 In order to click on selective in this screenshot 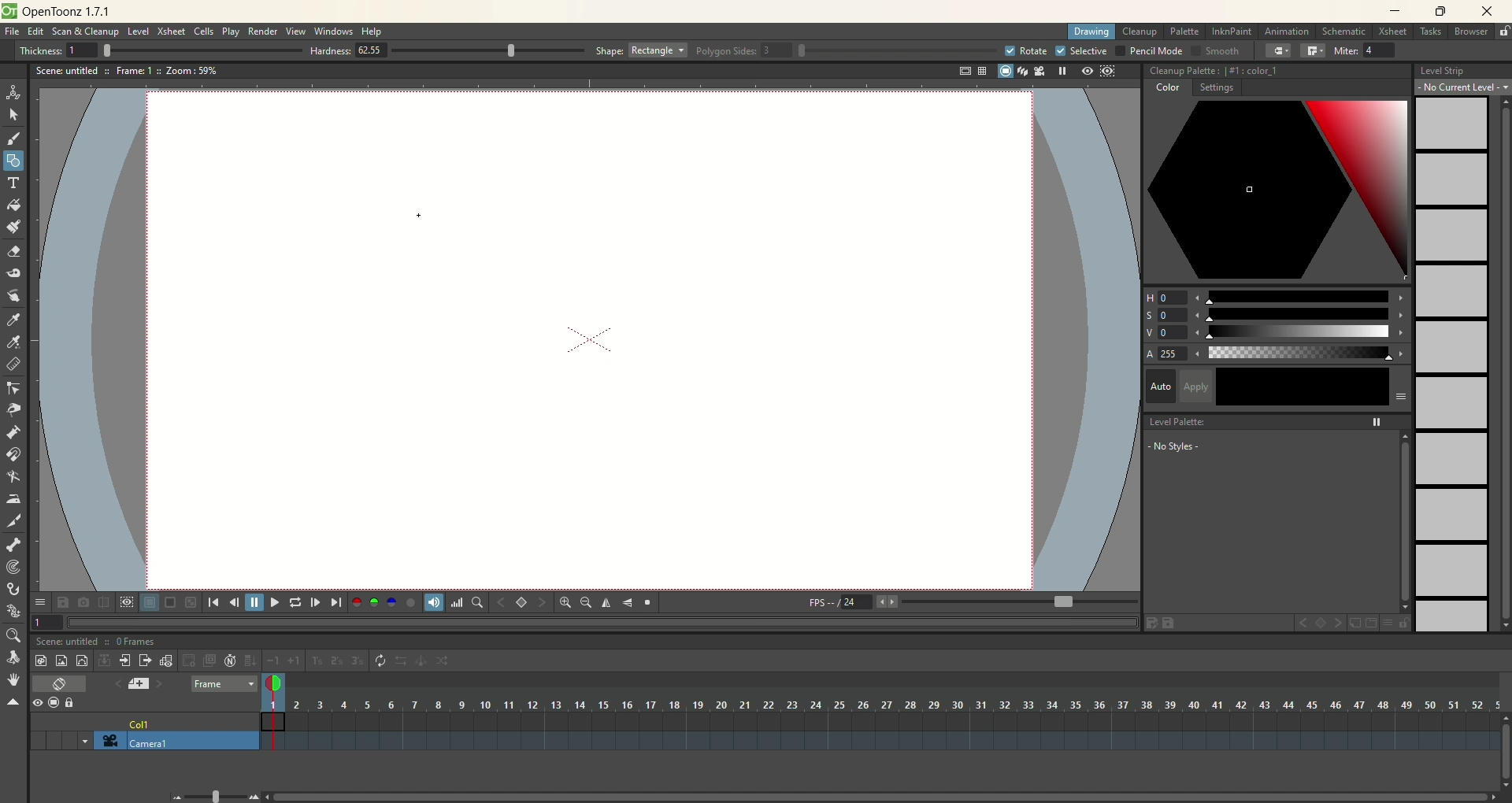, I will do `click(1082, 51)`.